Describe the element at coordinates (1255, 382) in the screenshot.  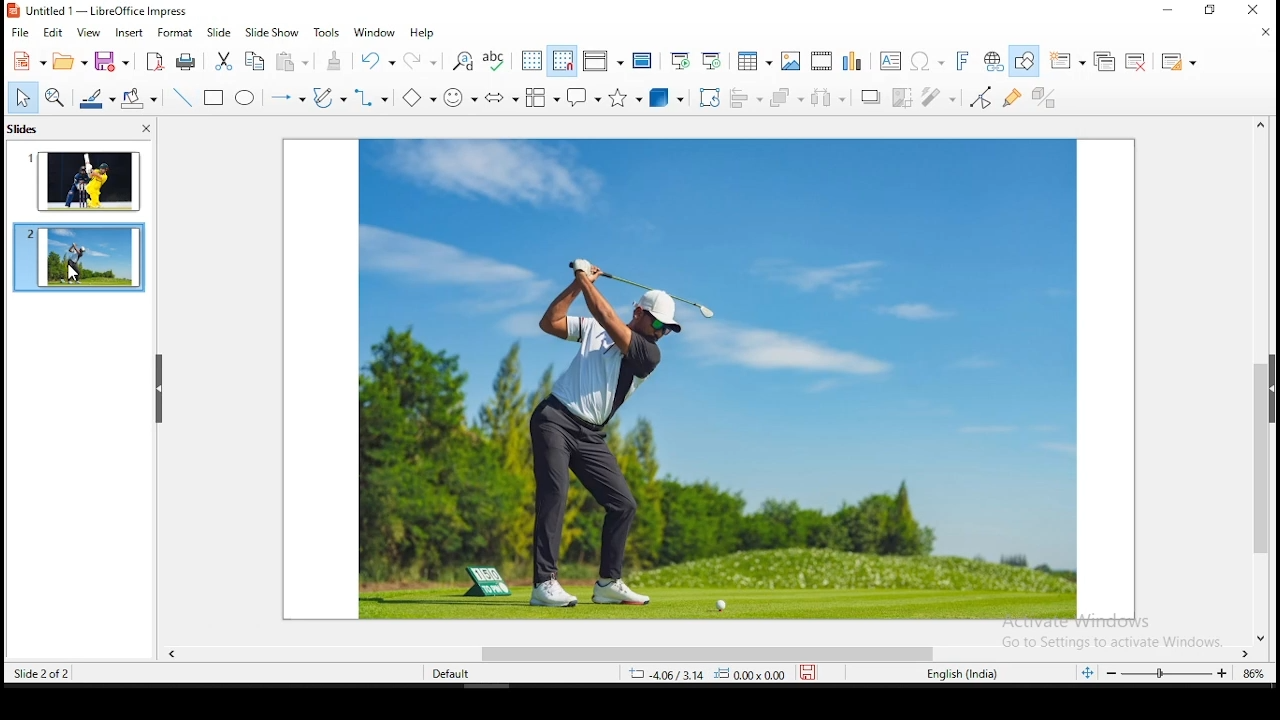
I see `scroll bar` at that location.